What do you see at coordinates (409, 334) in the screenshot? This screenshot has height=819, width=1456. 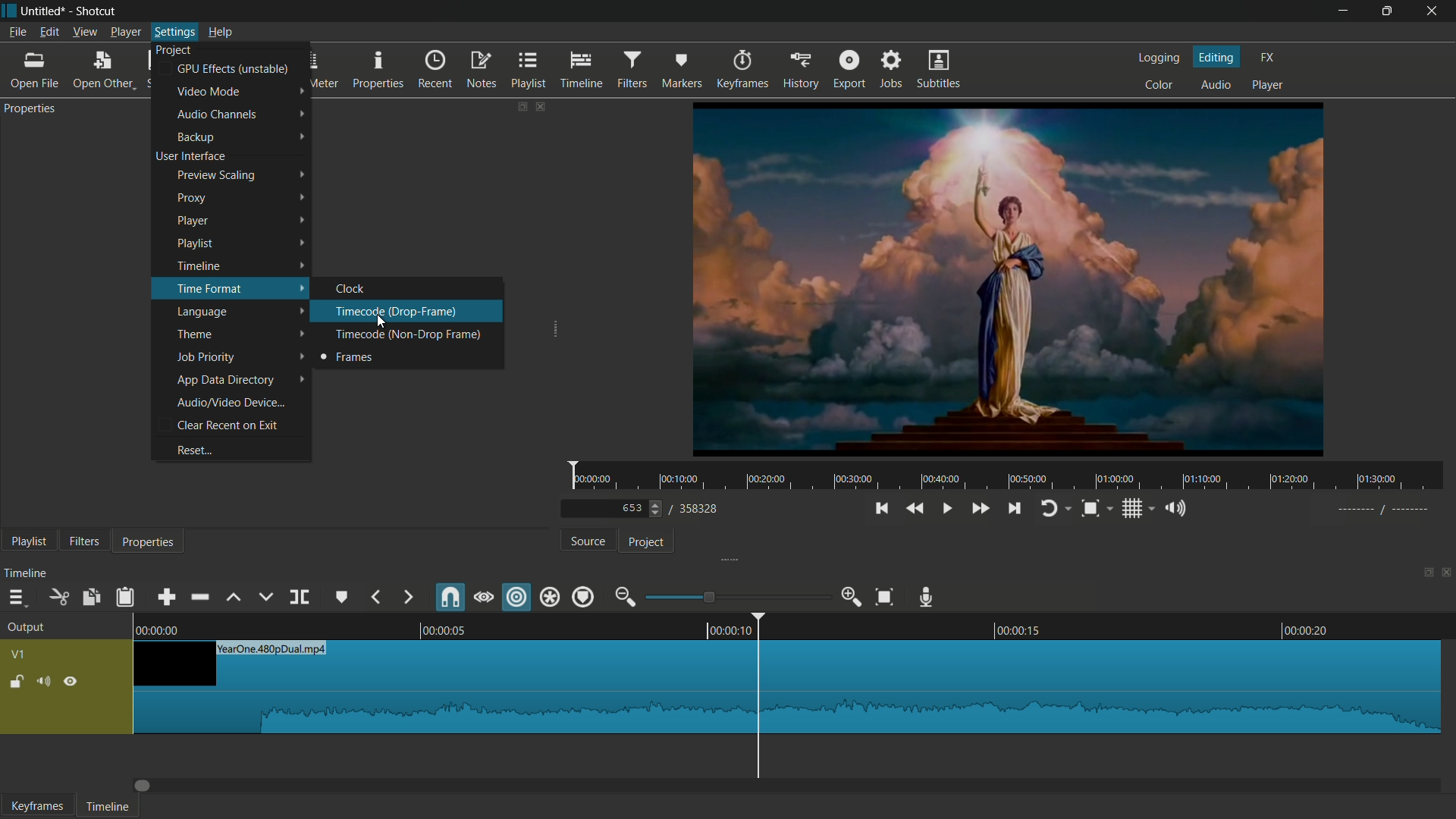 I see `timecode(non-drop frame)` at bounding box center [409, 334].